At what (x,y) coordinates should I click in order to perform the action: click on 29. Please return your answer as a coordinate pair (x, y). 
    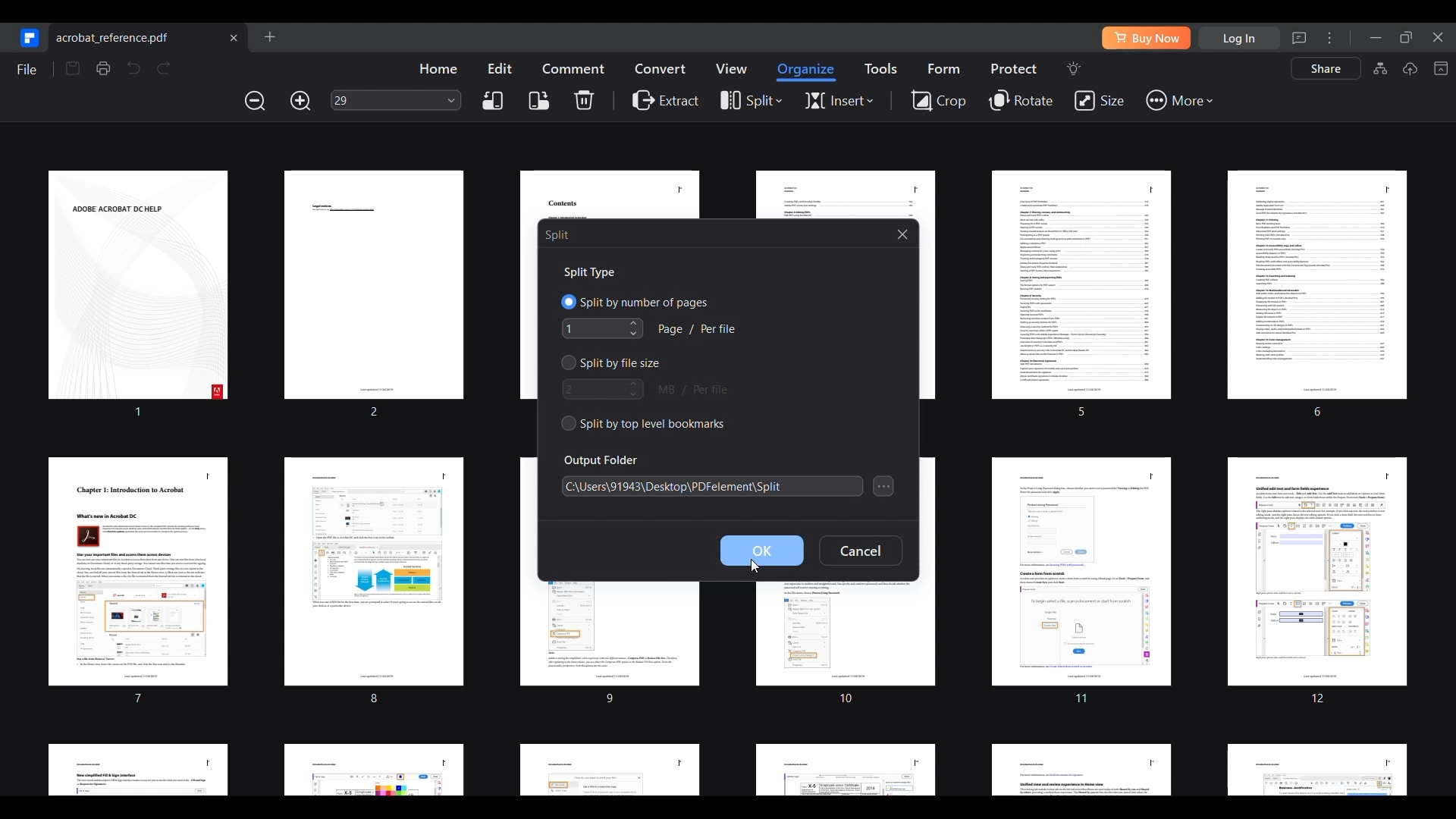
    Looking at the image, I should click on (385, 100).